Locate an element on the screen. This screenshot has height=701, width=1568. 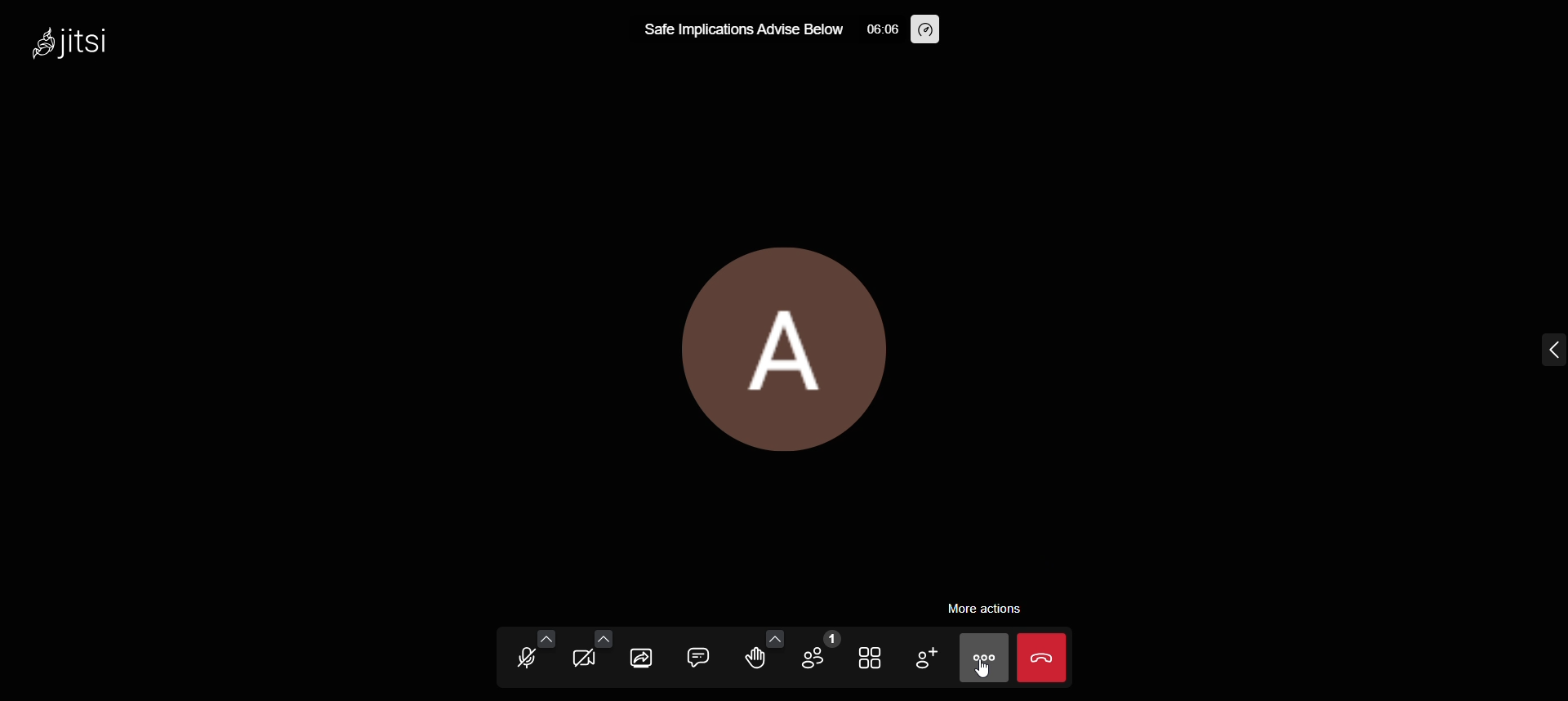
share screen is located at coordinates (643, 658).